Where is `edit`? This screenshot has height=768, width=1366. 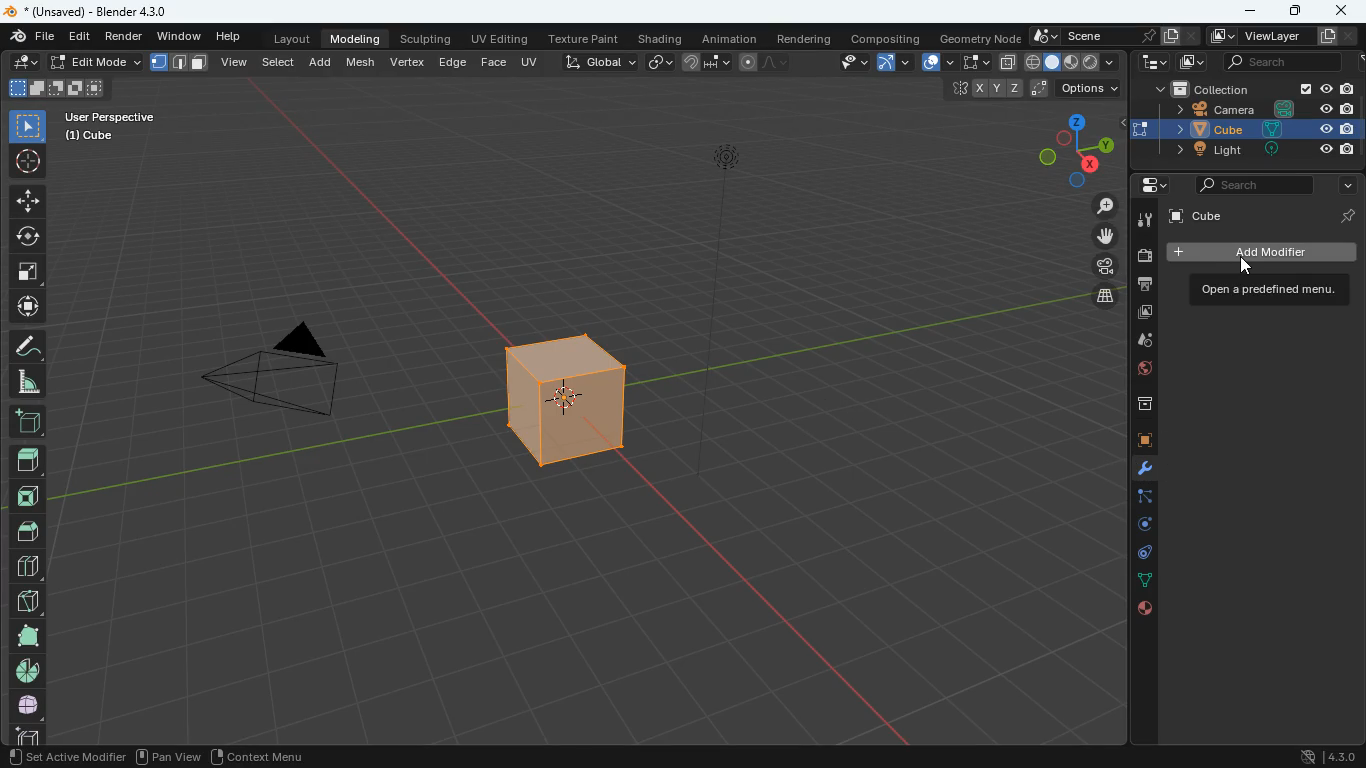 edit is located at coordinates (23, 61).